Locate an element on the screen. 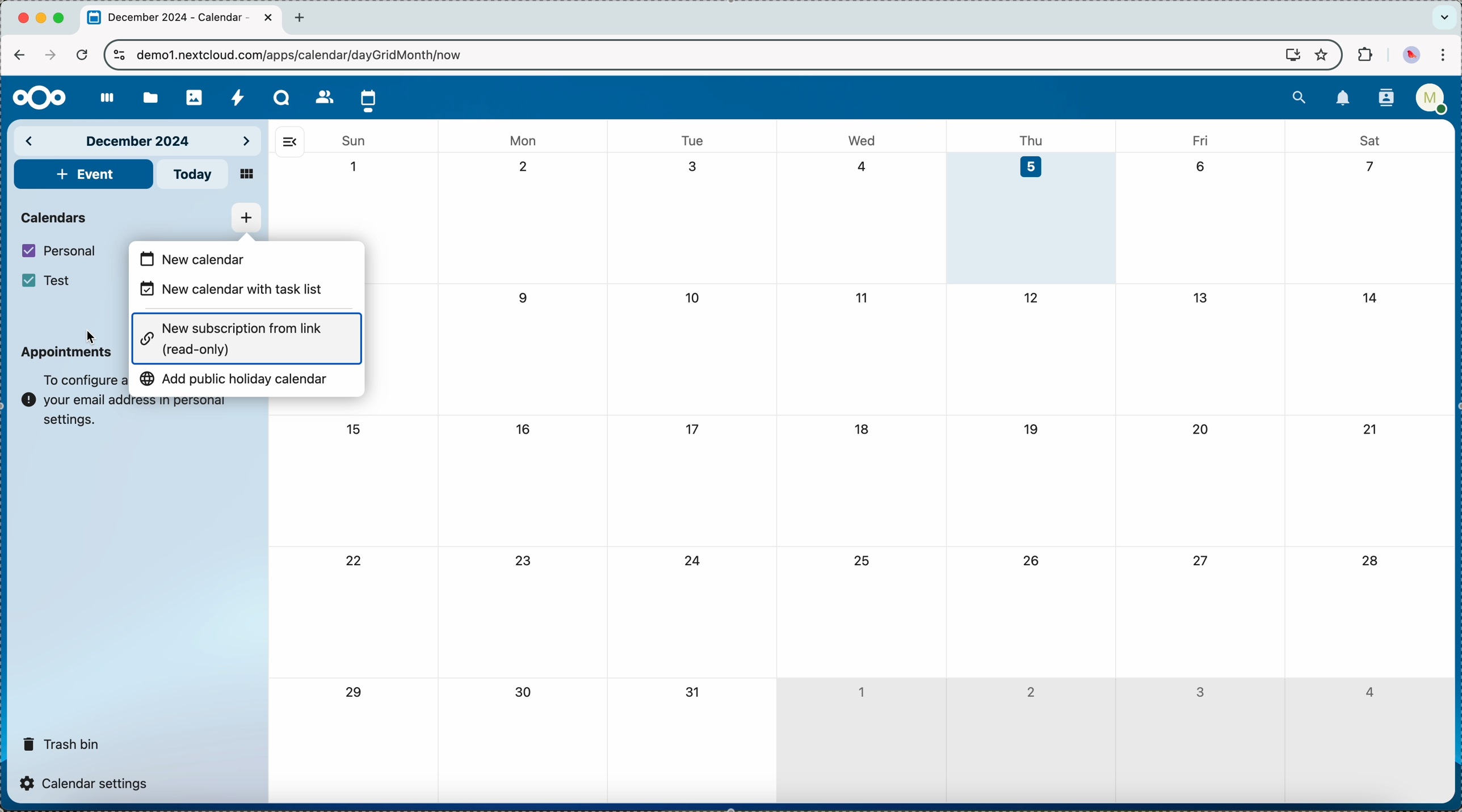 The height and width of the screenshot is (812, 1462). typing name is located at coordinates (219, 259).